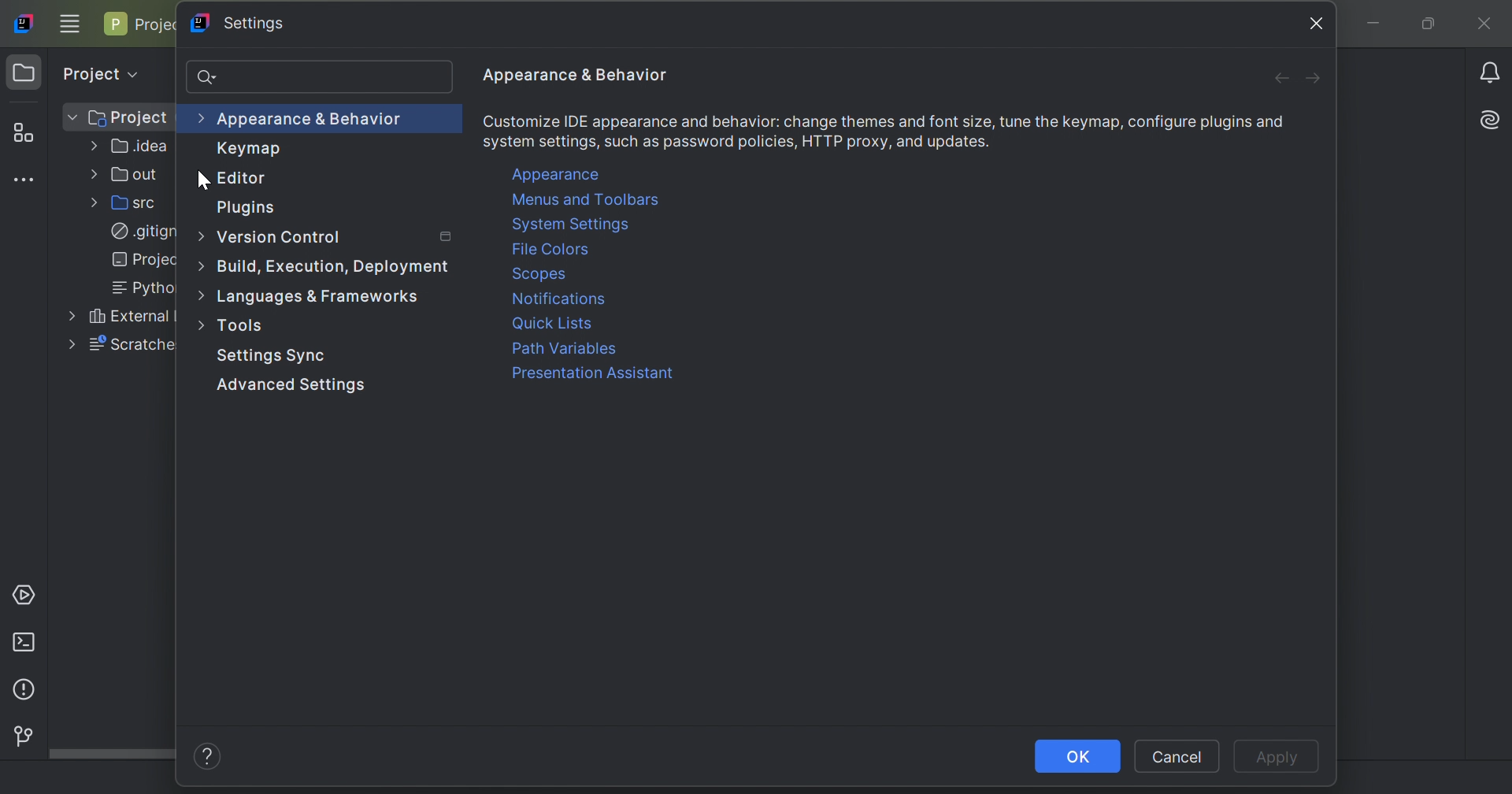 The image size is (1512, 794). What do you see at coordinates (324, 265) in the screenshot?
I see `Bild, Execution, Deployment` at bounding box center [324, 265].